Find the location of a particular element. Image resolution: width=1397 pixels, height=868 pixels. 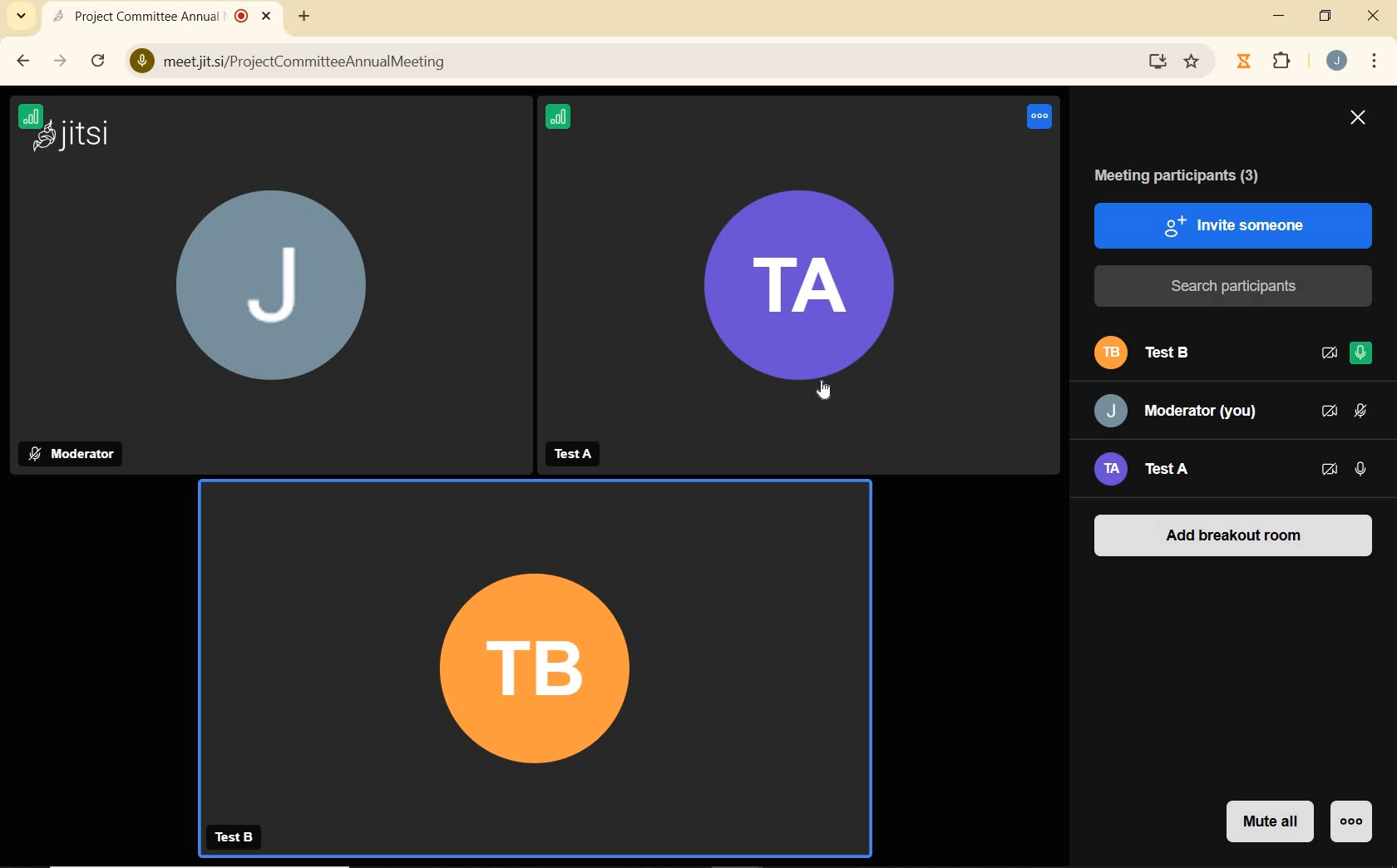

recording is located at coordinates (241, 17).